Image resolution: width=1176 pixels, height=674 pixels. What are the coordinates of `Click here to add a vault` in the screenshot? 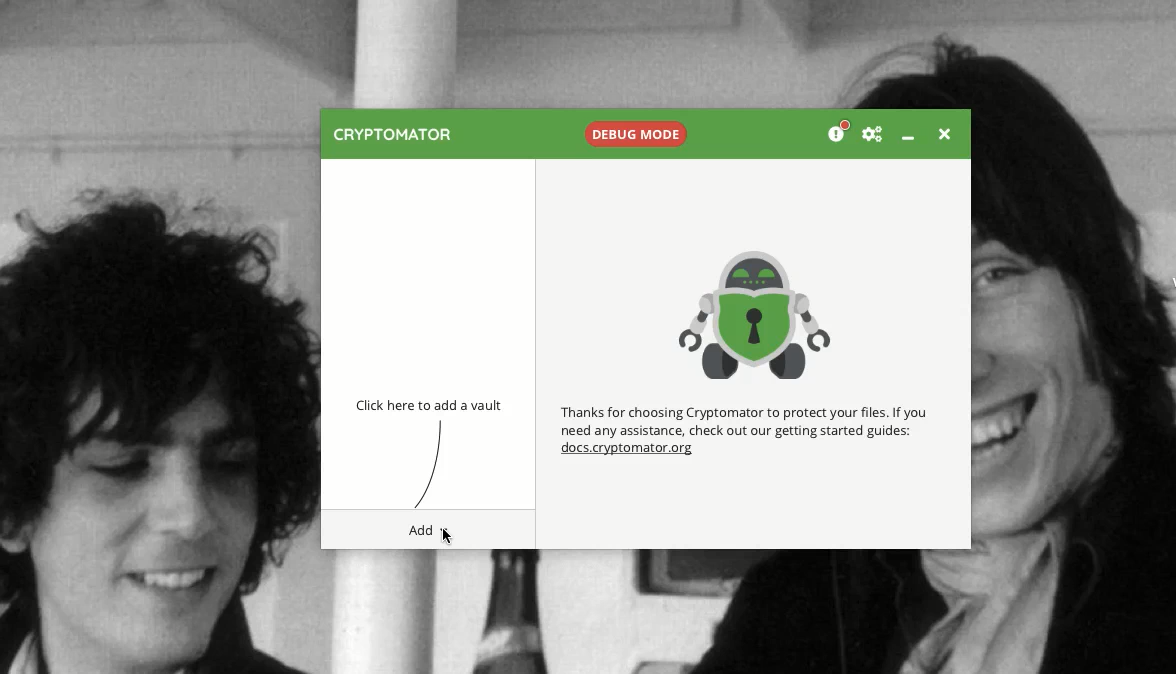 It's located at (434, 406).